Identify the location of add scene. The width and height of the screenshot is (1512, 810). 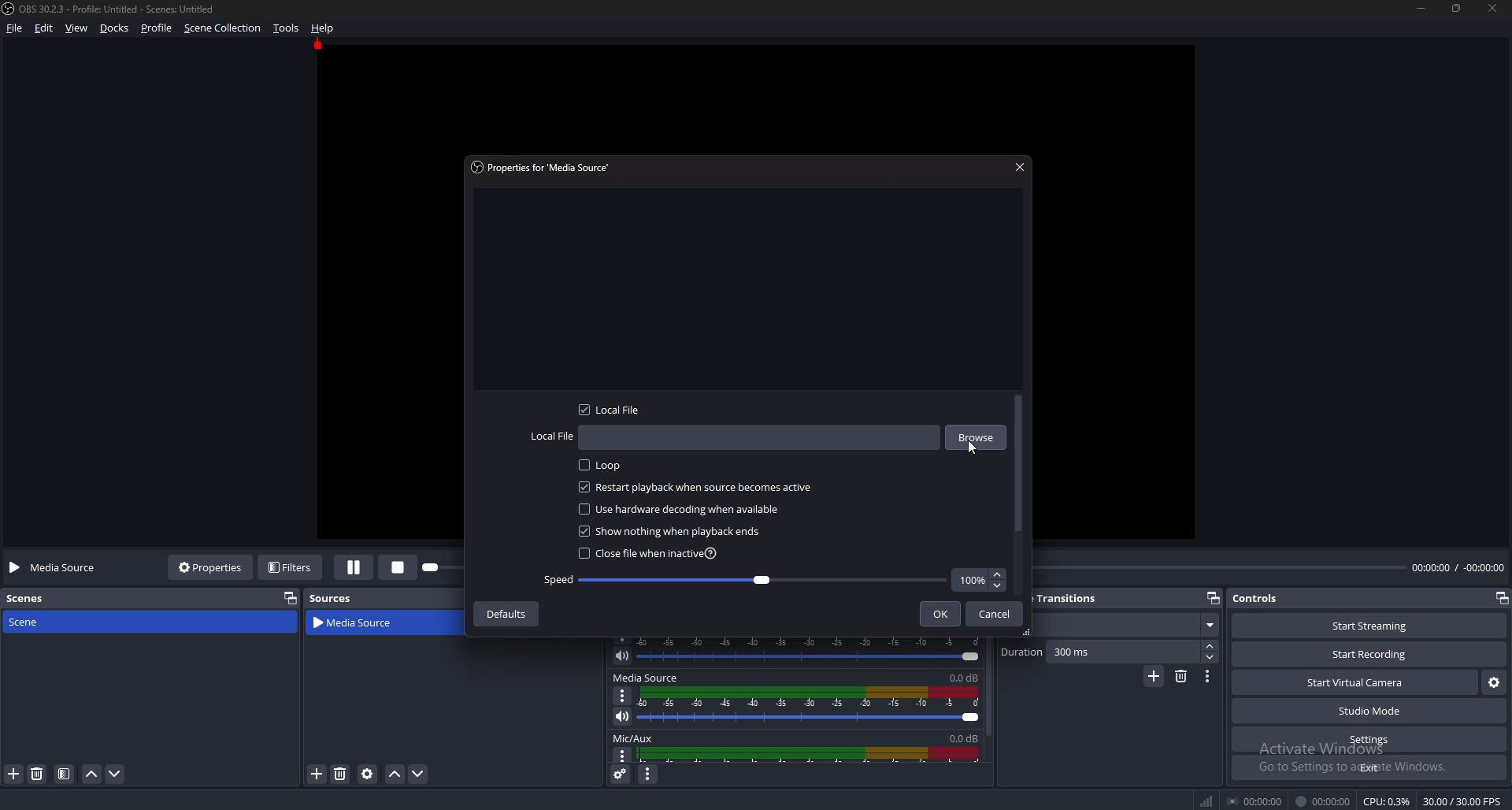
(15, 774).